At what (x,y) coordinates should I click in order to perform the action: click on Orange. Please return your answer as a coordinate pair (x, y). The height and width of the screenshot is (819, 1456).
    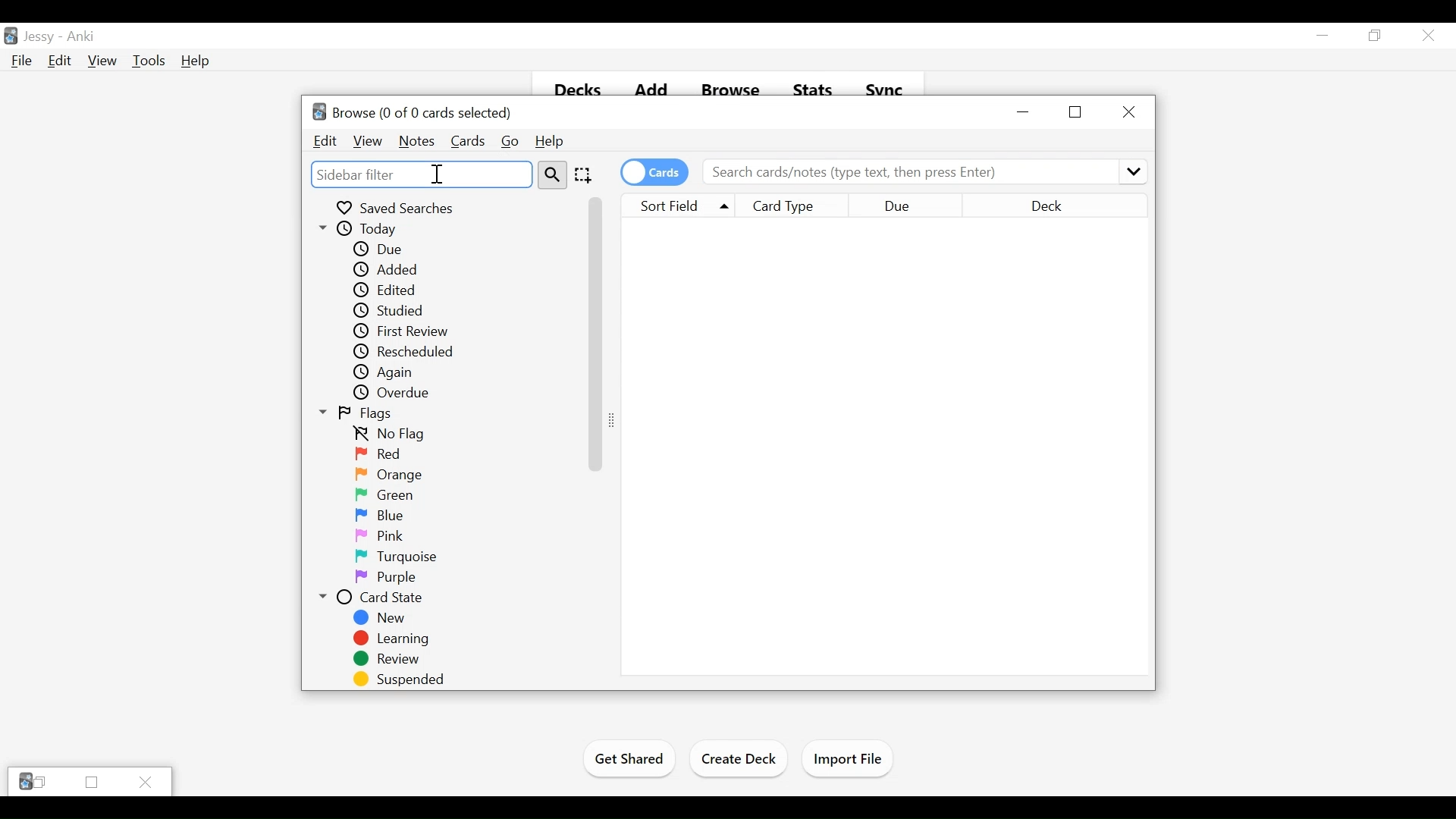
    Looking at the image, I should click on (388, 475).